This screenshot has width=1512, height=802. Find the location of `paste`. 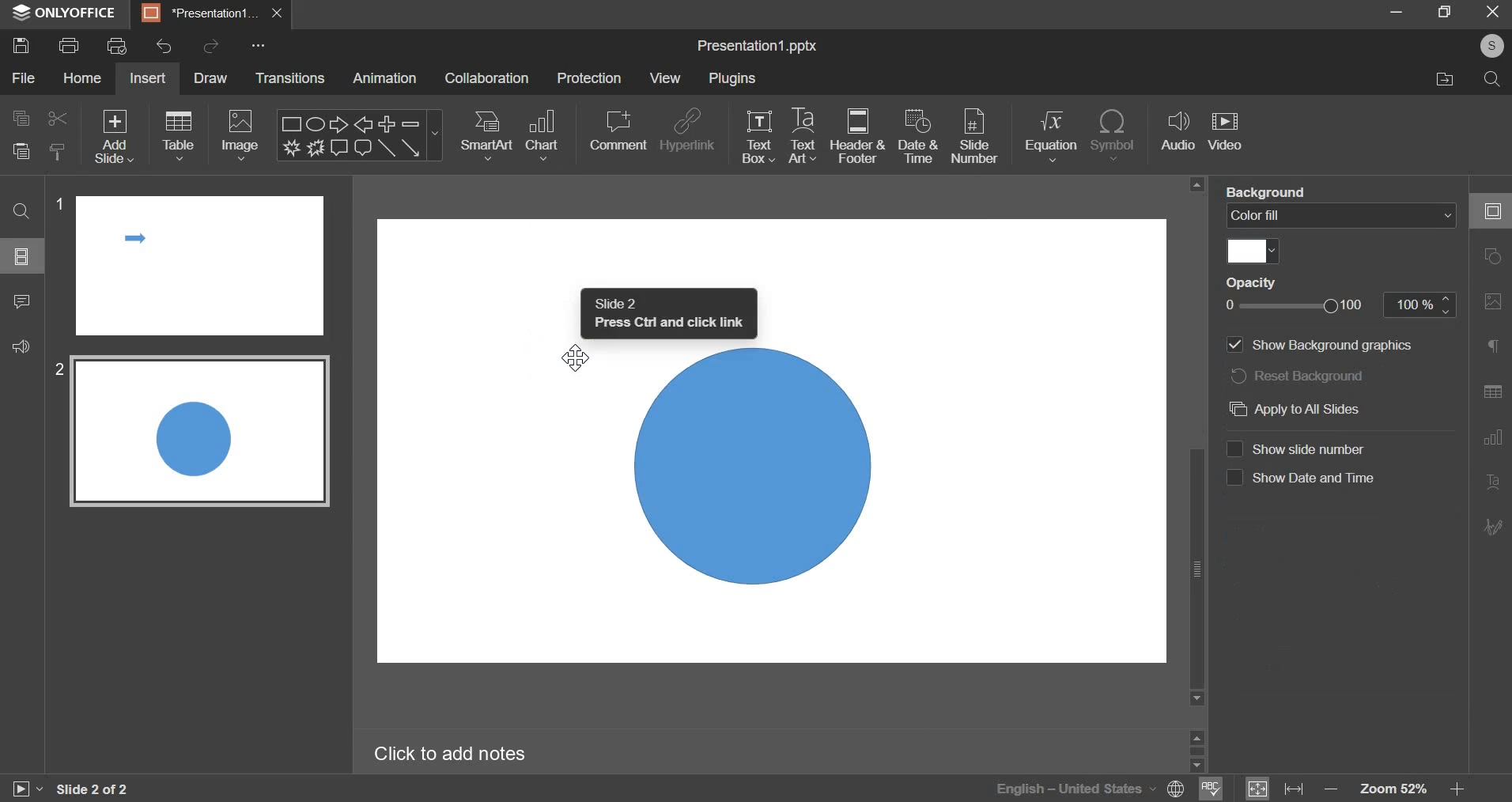

paste is located at coordinates (22, 150).